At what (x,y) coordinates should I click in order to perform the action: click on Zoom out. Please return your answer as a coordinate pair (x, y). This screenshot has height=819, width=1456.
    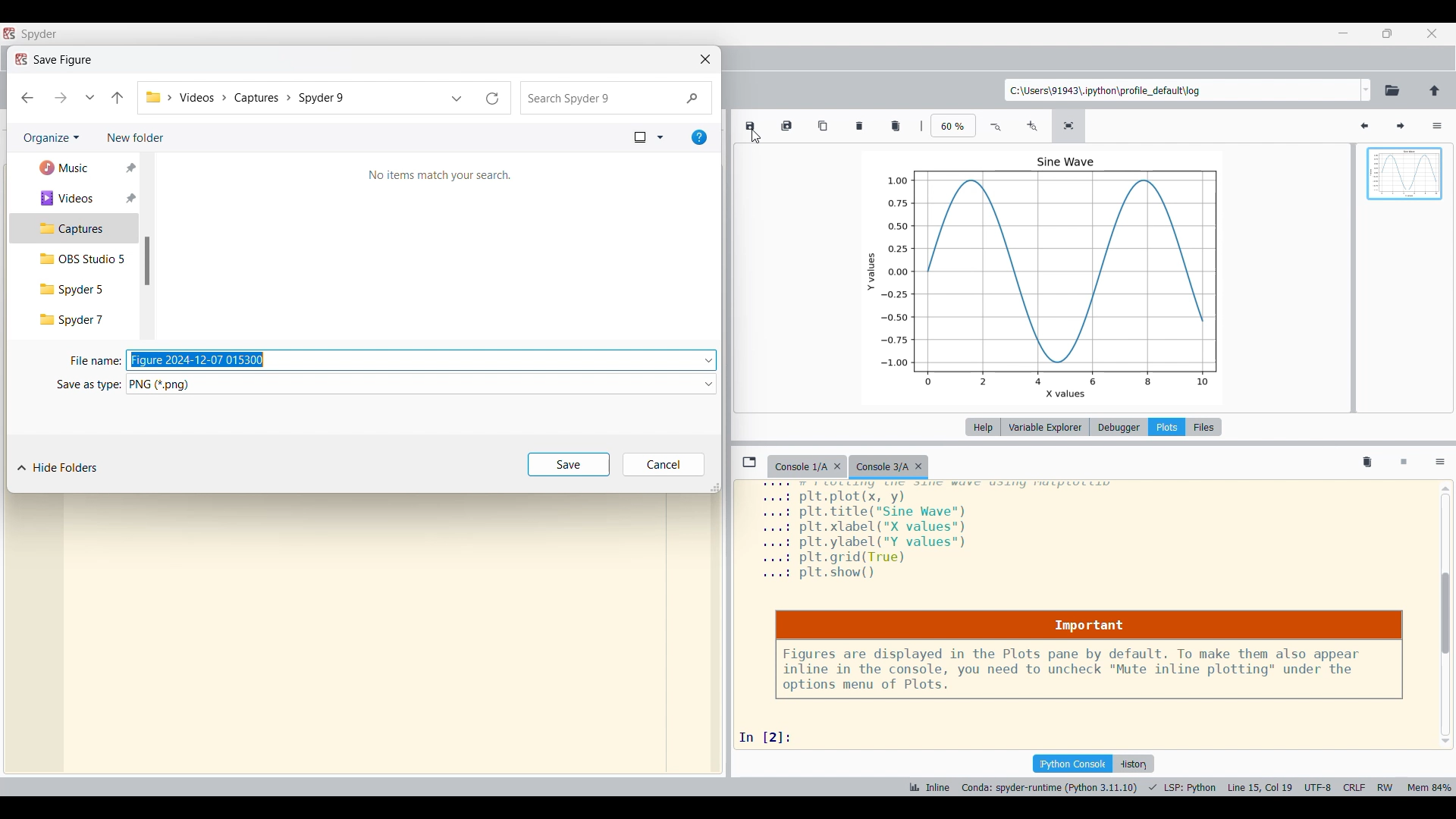
    Looking at the image, I should click on (997, 127).